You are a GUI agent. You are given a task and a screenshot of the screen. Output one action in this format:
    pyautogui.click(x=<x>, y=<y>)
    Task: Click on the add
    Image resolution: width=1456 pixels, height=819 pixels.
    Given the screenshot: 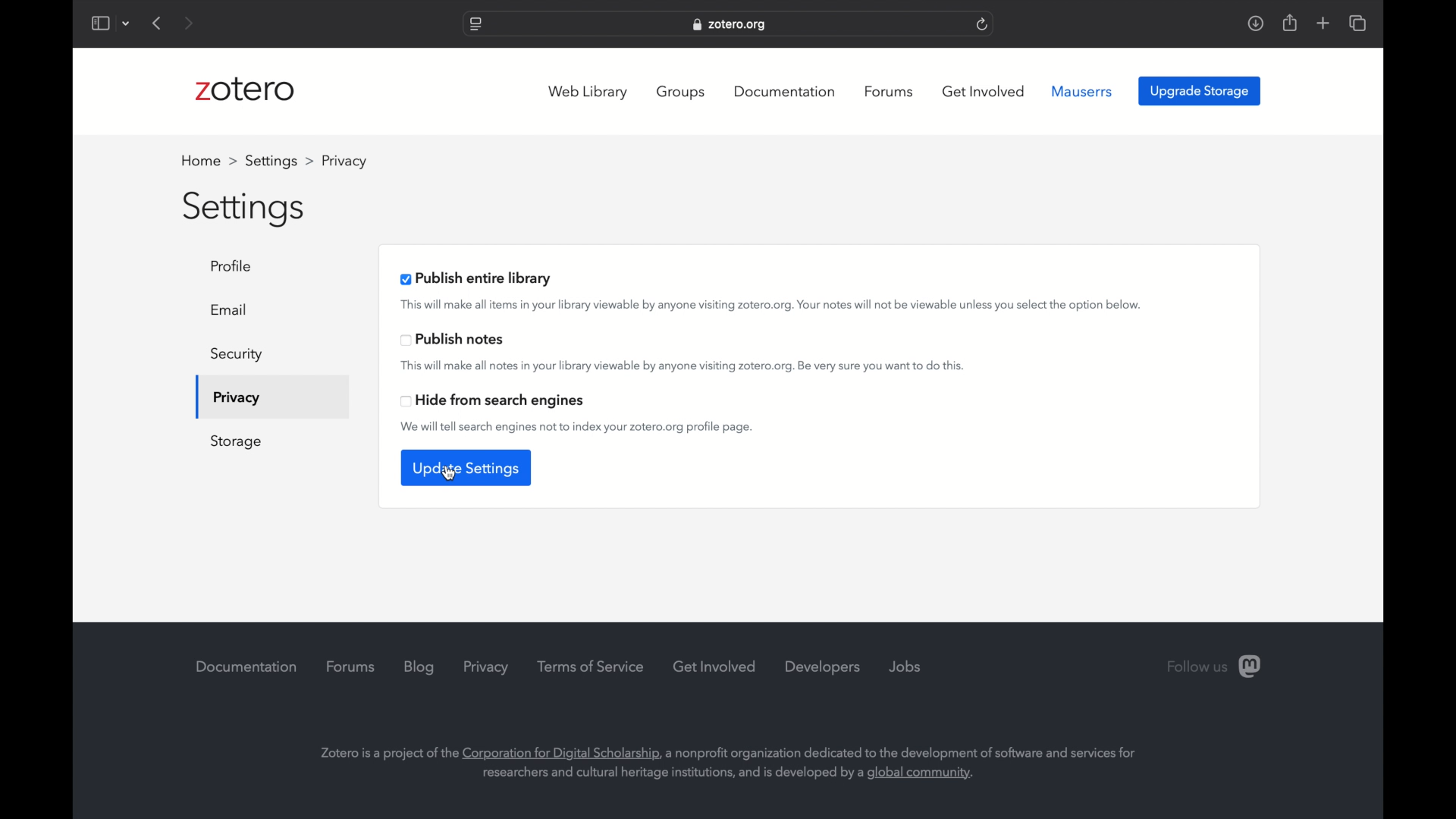 What is the action you would take?
    pyautogui.click(x=1324, y=23)
    